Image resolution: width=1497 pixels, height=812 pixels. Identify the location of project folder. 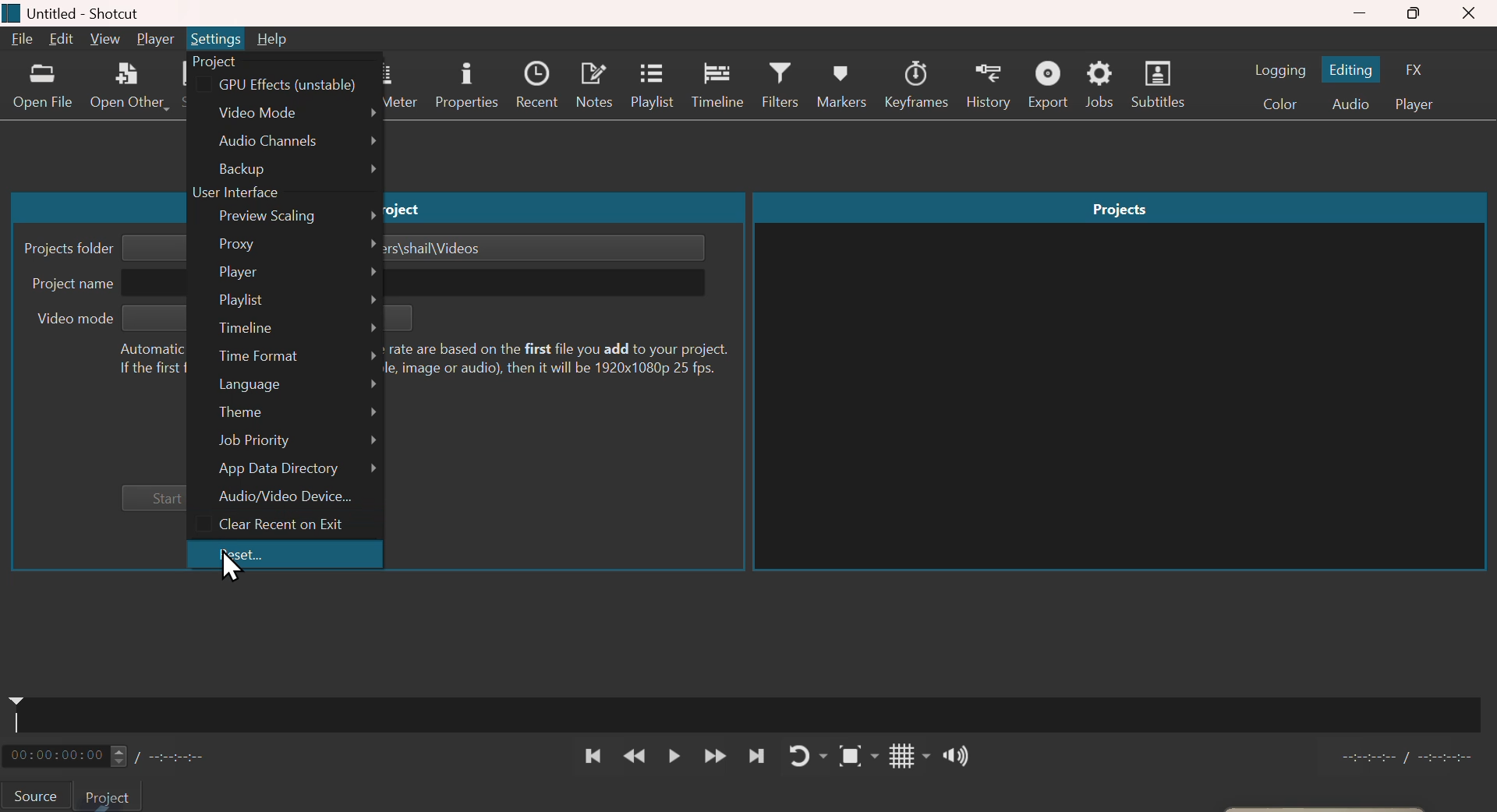
(64, 246).